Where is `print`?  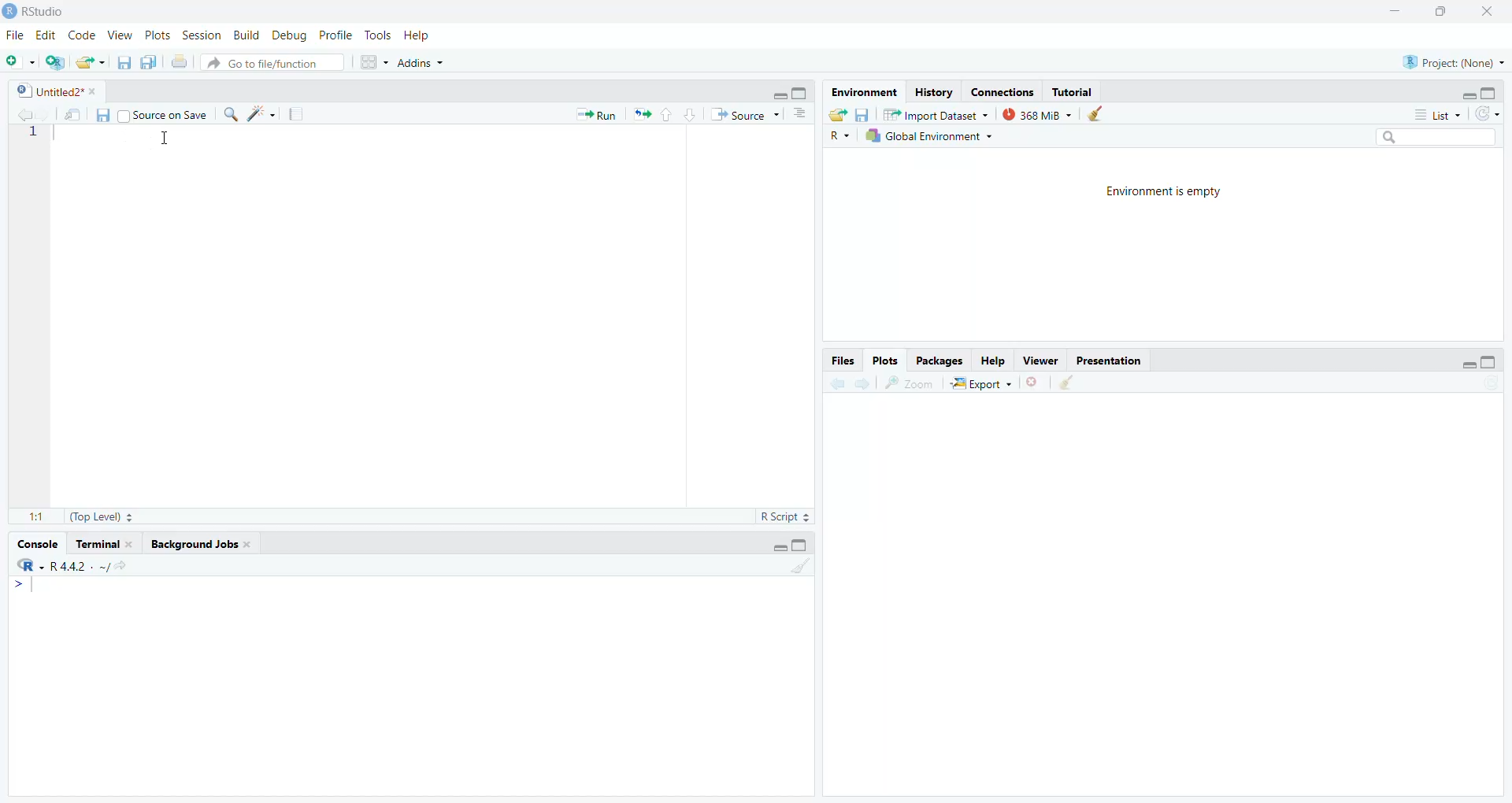
print is located at coordinates (181, 65).